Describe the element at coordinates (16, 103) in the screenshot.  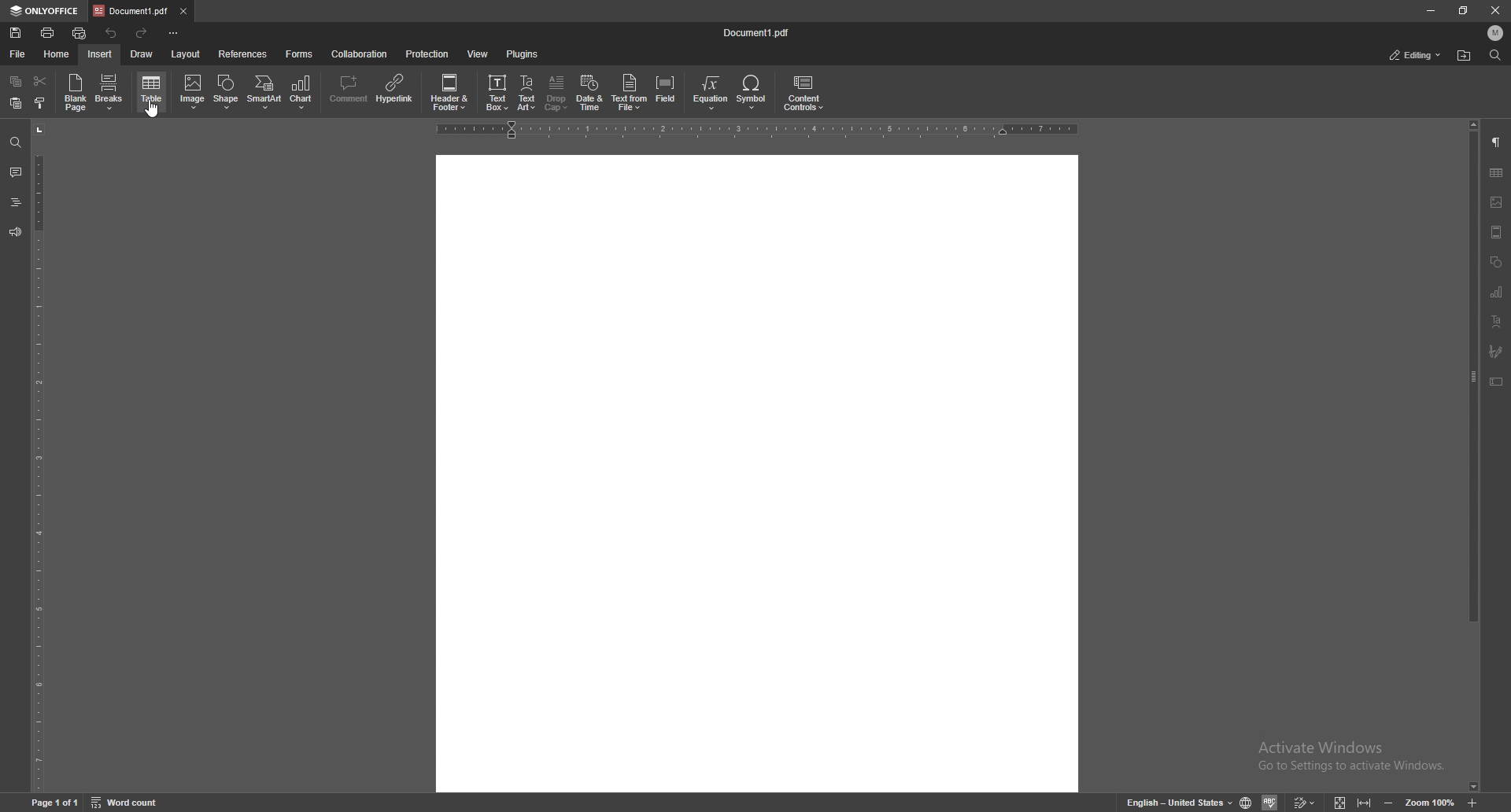
I see `paste` at that location.